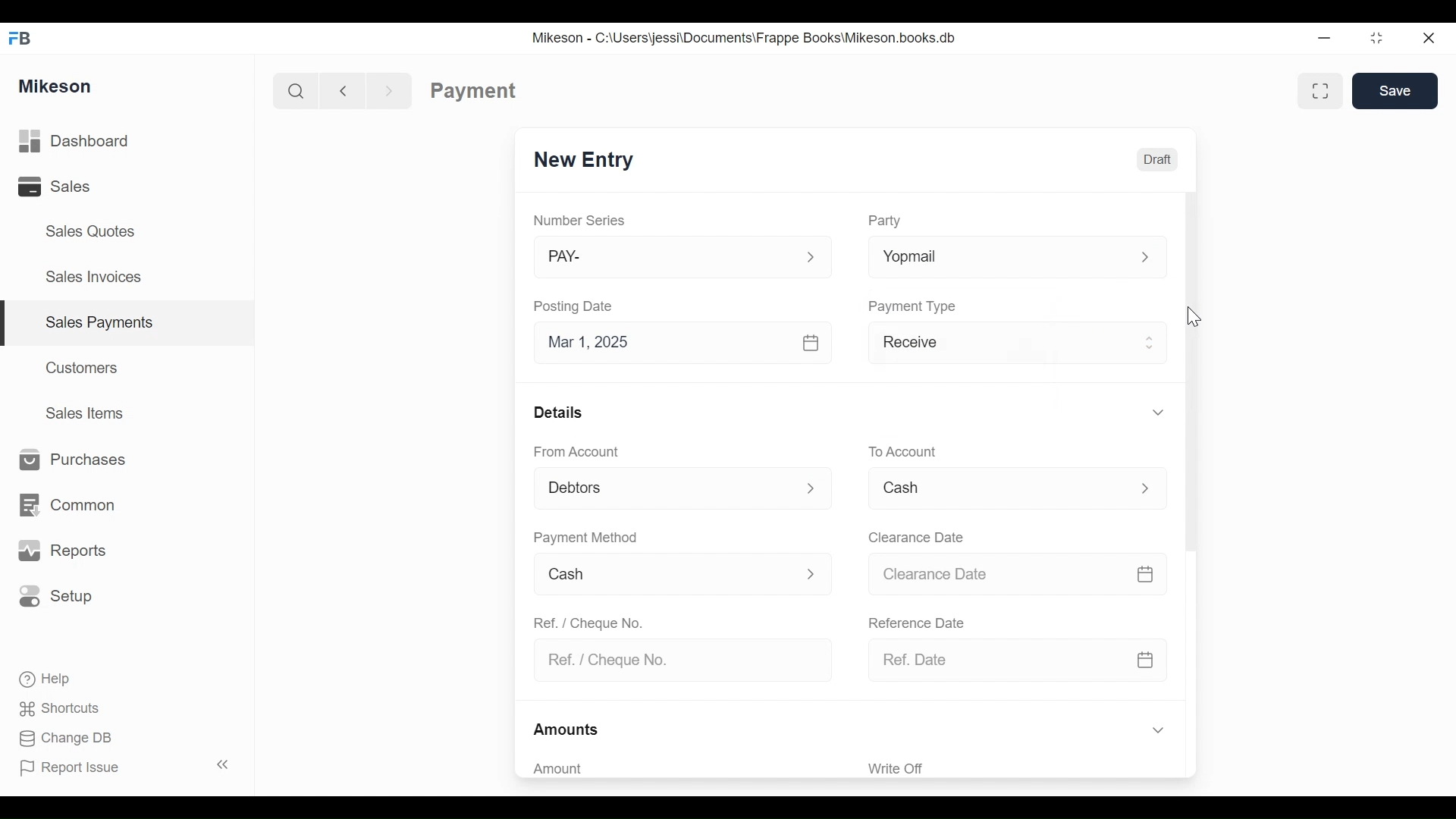 The image size is (1456, 819). Describe the element at coordinates (745, 38) in the screenshot. I see `Mikeson - C:\Users\jessi\Documents\Frappe Books\Mikeson.books.db` at that location.